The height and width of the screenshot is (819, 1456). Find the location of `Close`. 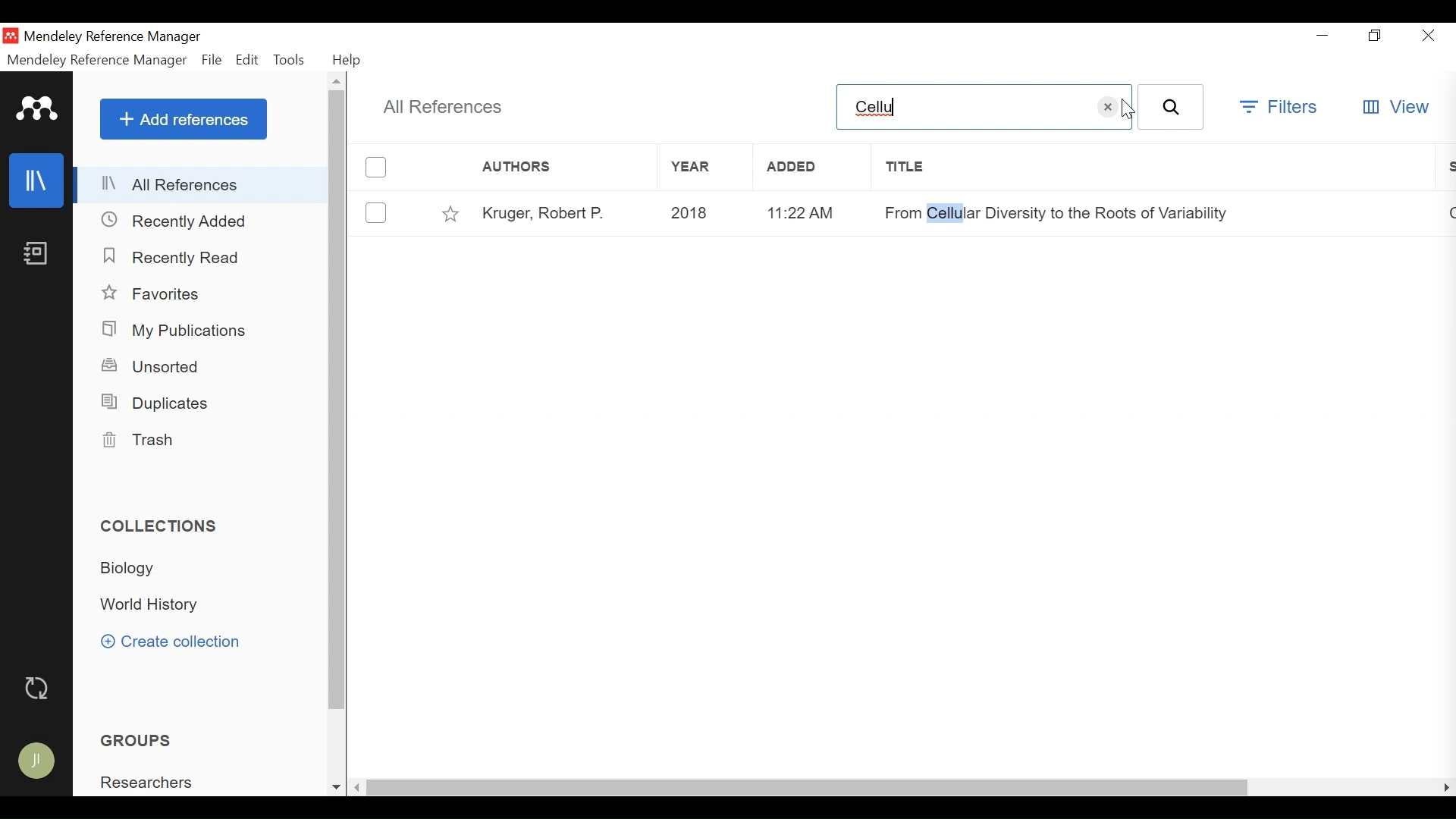

Close is located at coordinates (1429, 35).